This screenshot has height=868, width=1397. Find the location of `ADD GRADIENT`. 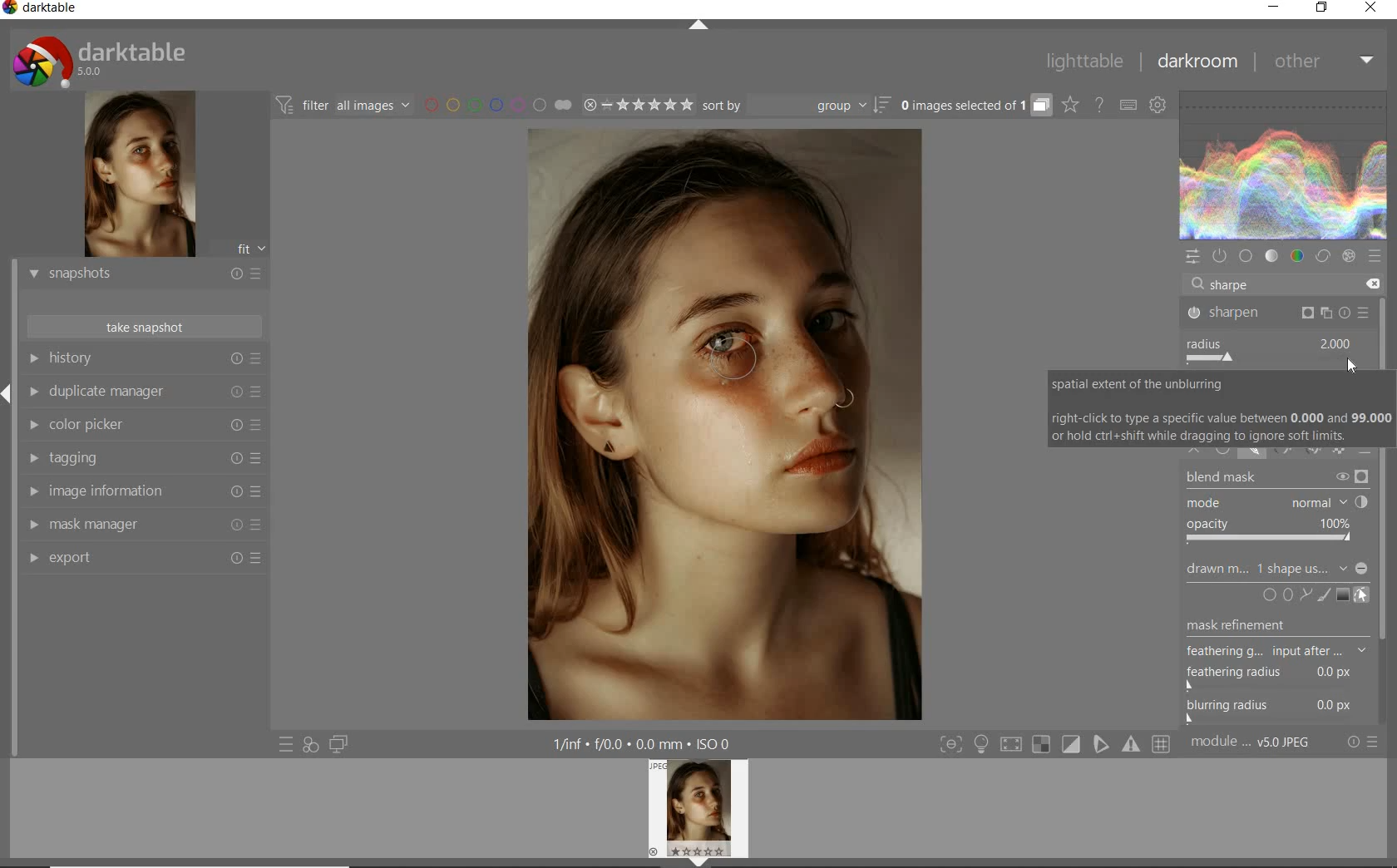

ADD GRADIENT is located at coordinates (1343, 595).